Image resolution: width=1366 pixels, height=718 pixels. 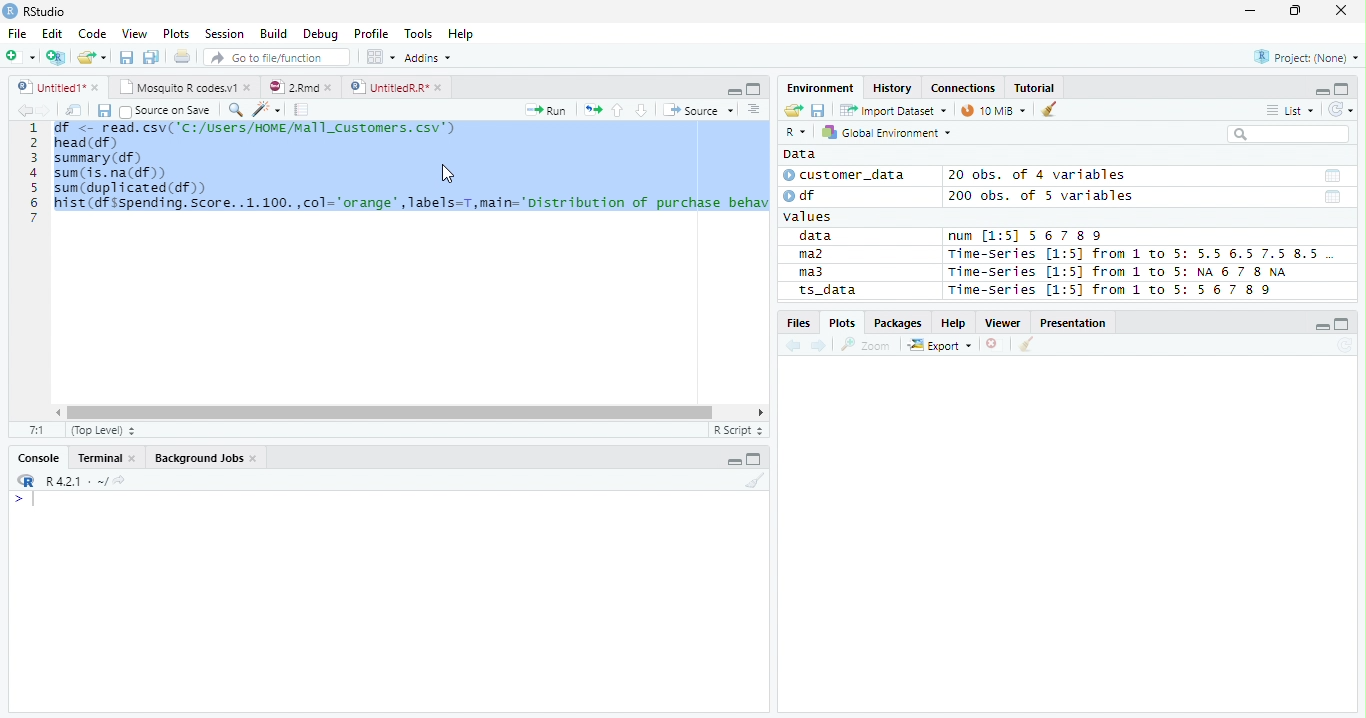 I want to click on 20 obs. of 4 variables, so click(x=1038, y=177).